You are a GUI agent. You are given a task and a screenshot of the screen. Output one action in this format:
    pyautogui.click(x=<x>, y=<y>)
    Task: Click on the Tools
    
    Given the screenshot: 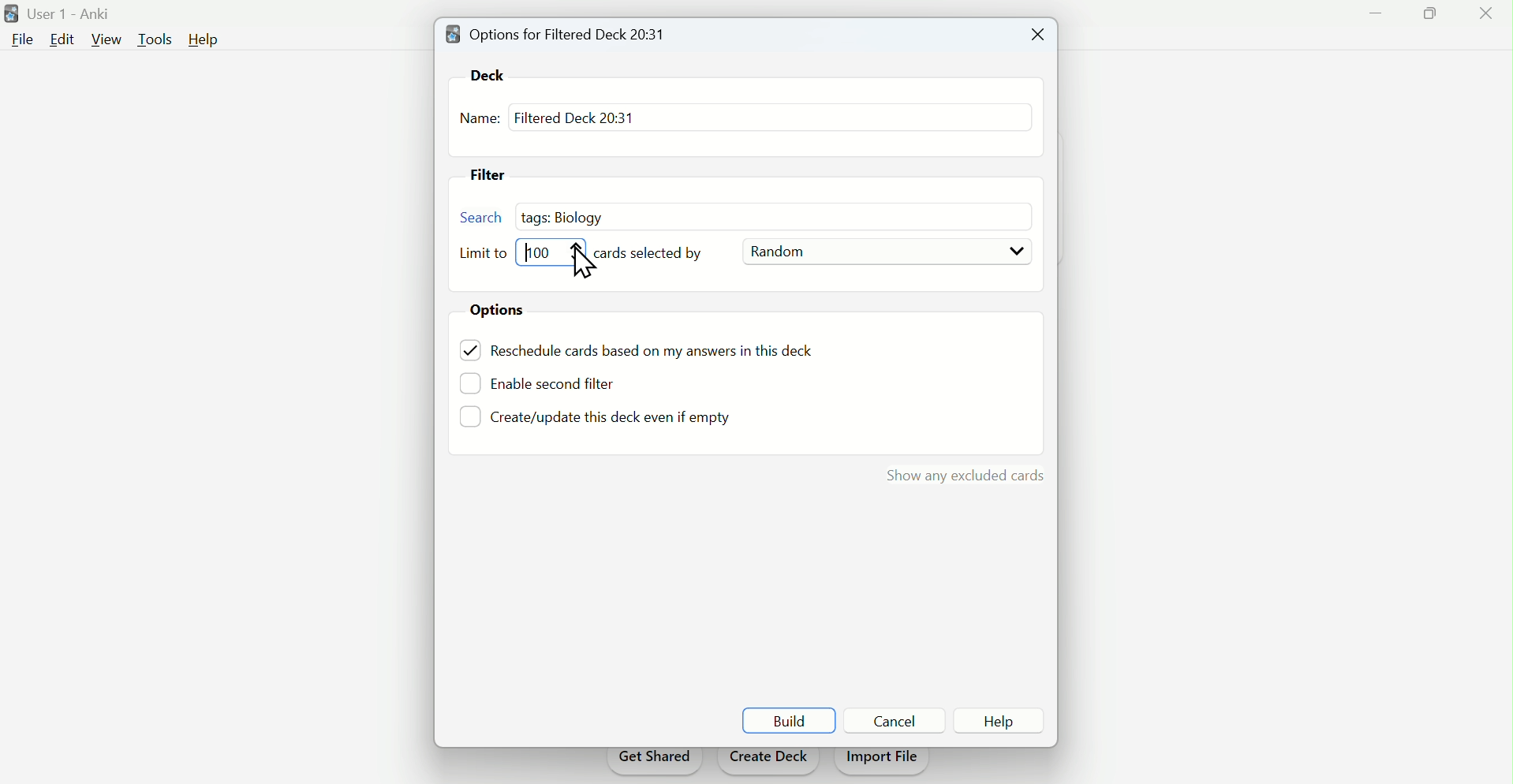 What is the action you would take?
    pyautogui.click(x=158, y=38)
    